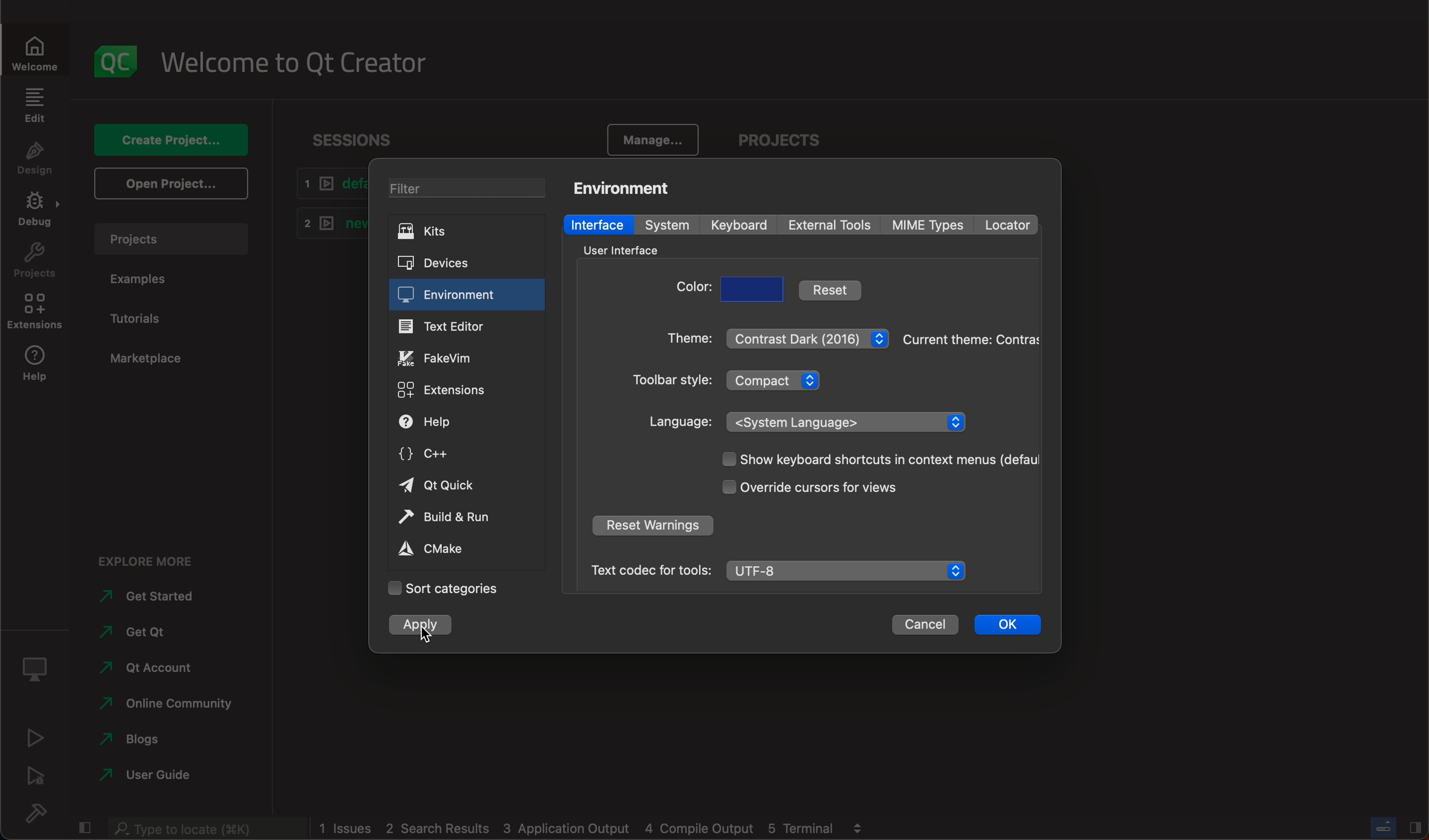 The height and width of the screenshot is (840, 1429). Describe the element at coordinates (423, 625) in the screenshot. I see `apply` at that location.